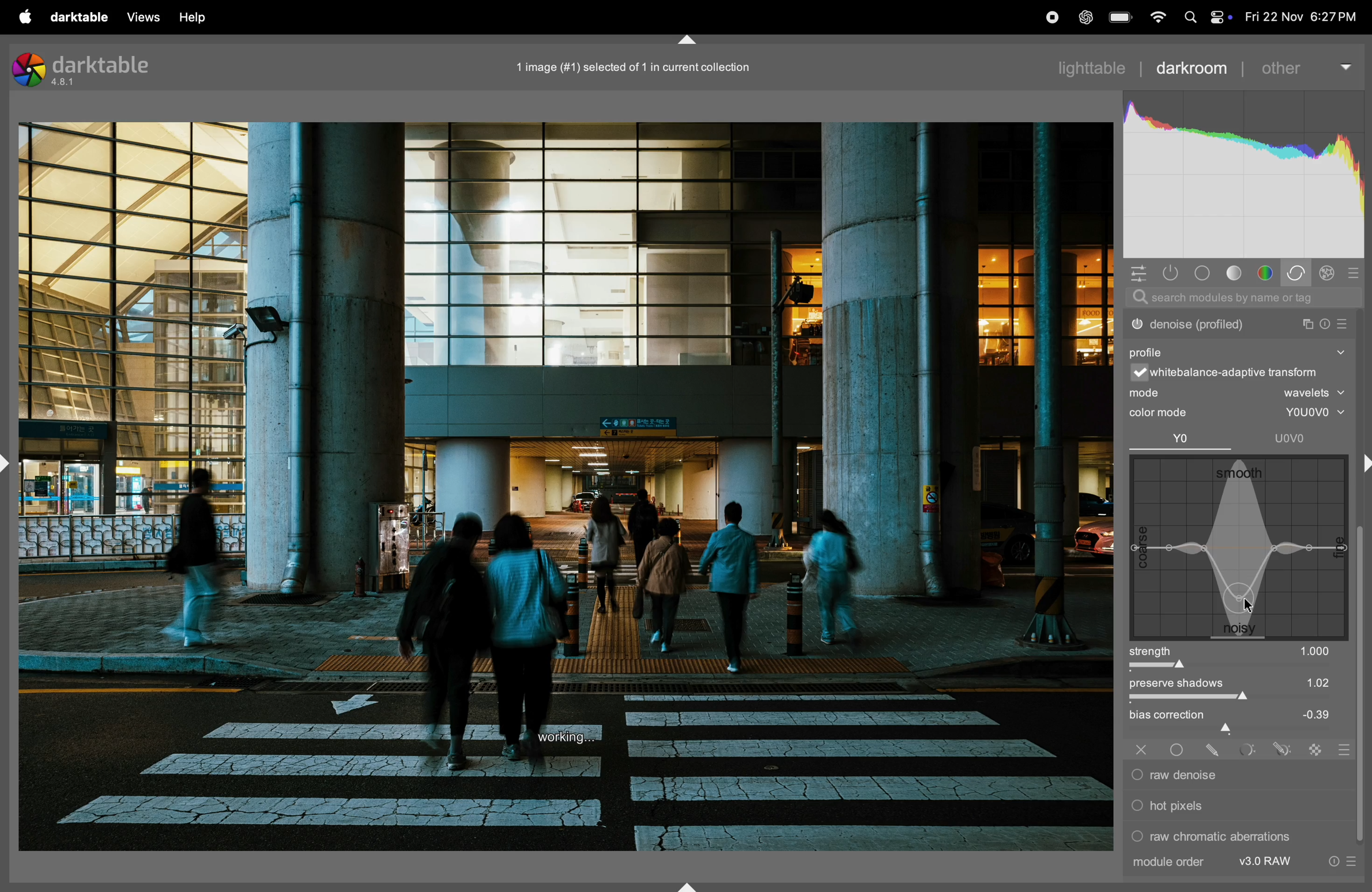 This screenshot has height=892, width=1372. Describe the element at coordinates (1147, 352) in the screenshot. I see `profile` at that location.